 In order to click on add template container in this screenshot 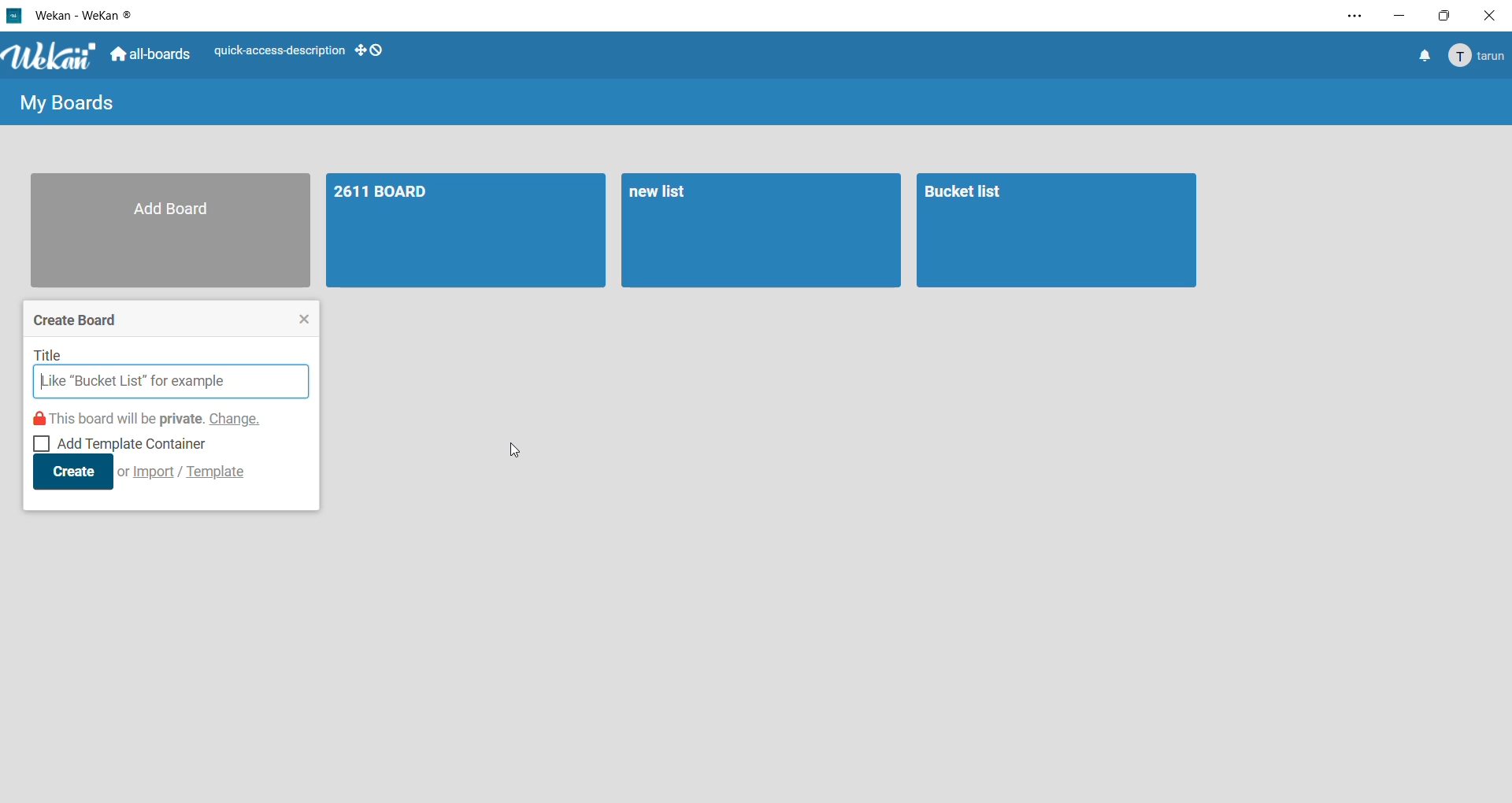, I will do `click(122, 442)`.